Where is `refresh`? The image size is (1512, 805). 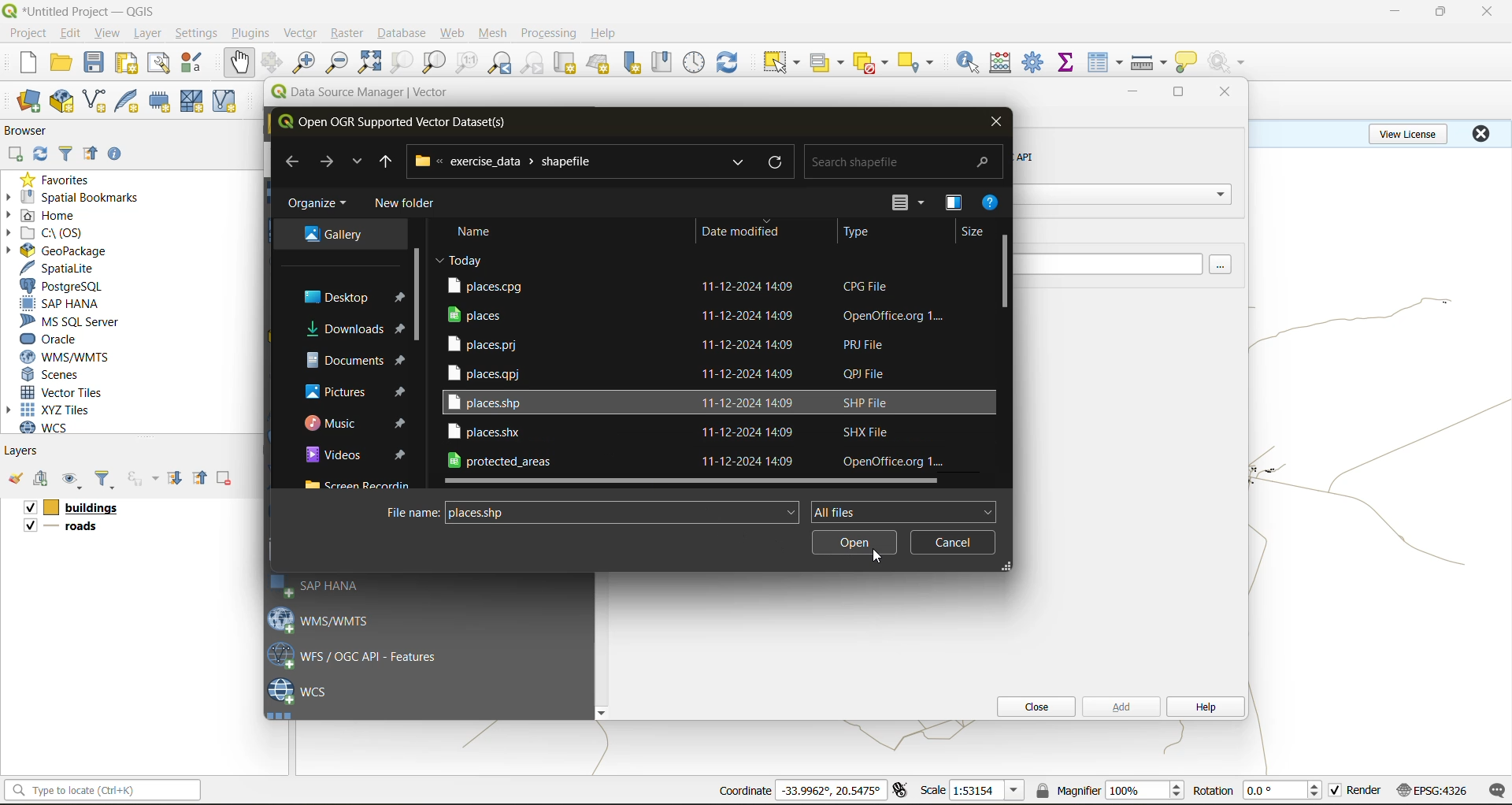
refresh is located at coordinates (37, 156).